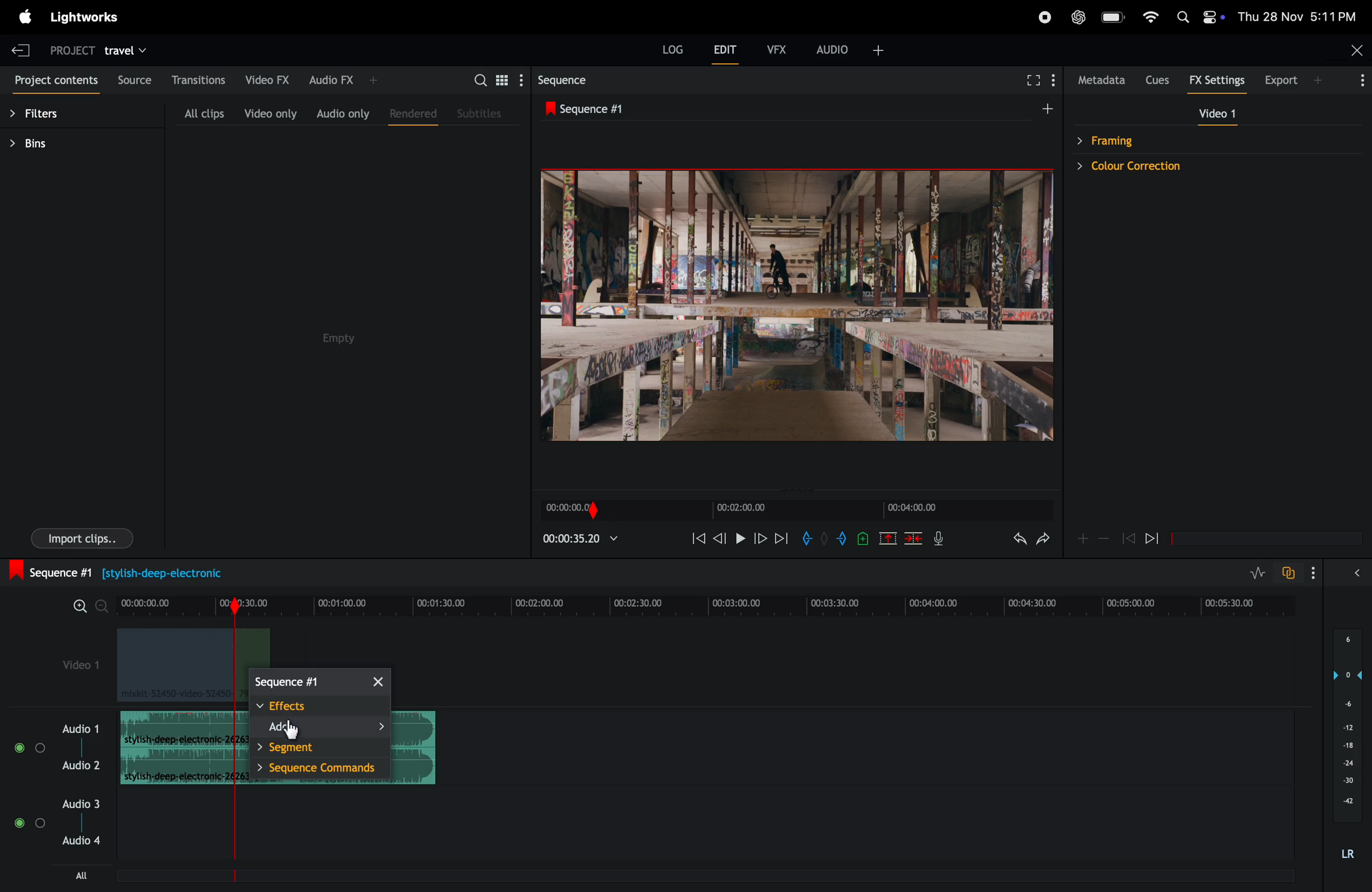  Describe the element at coordinates (584, 541) in the screenshot. I see `playback time` at that location.